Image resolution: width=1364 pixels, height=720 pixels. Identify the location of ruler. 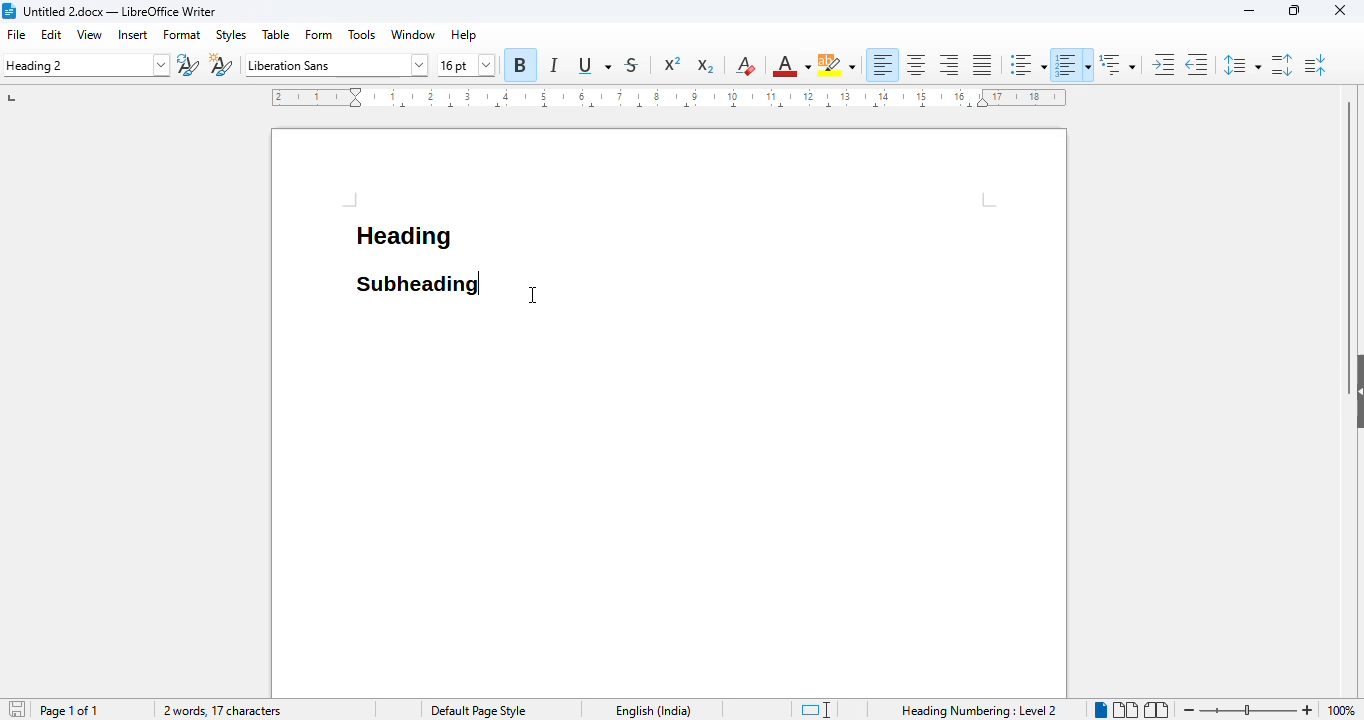
(668, 97).